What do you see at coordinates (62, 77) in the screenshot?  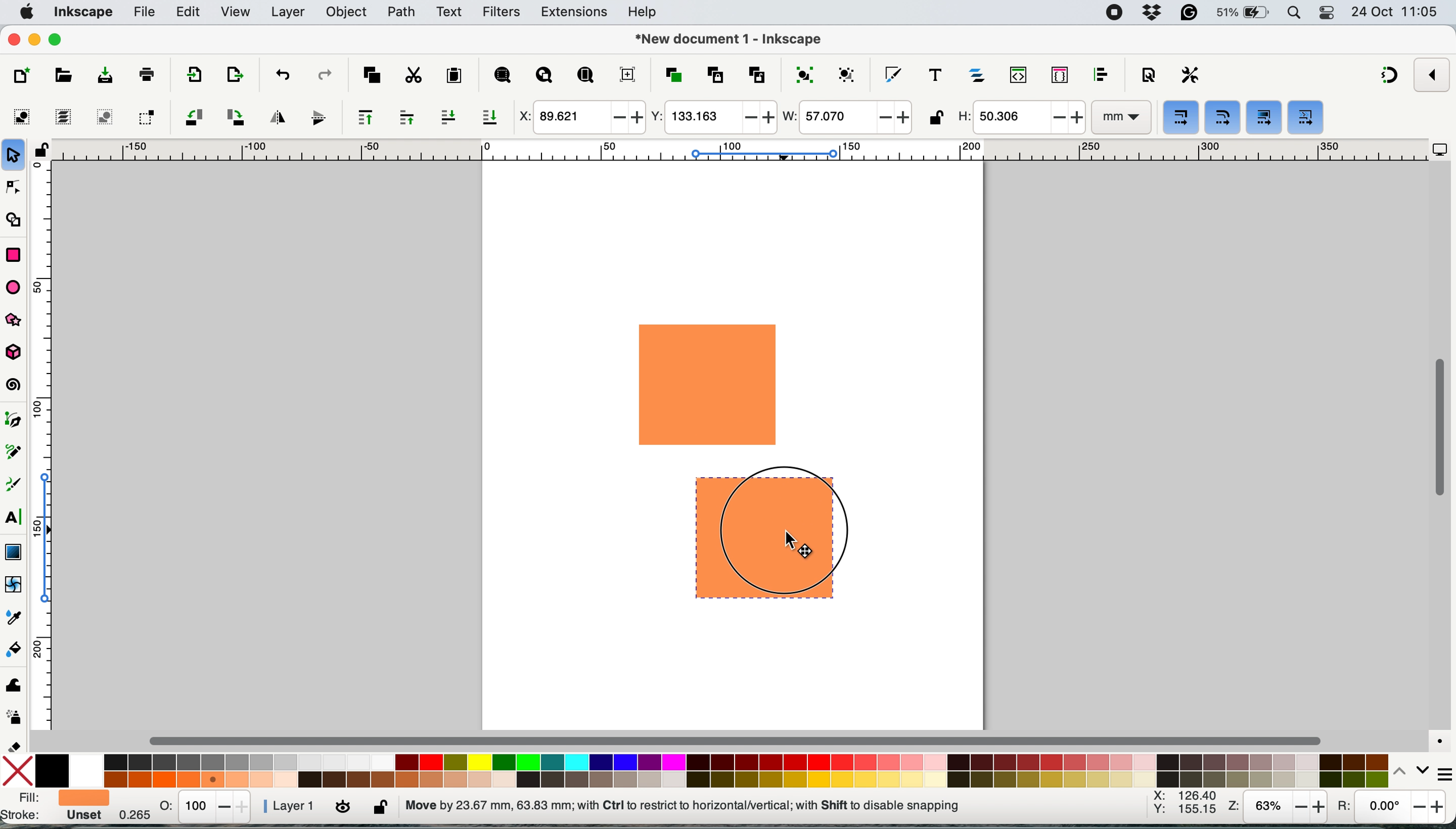 I see `open` at bounding box center [62, 77].